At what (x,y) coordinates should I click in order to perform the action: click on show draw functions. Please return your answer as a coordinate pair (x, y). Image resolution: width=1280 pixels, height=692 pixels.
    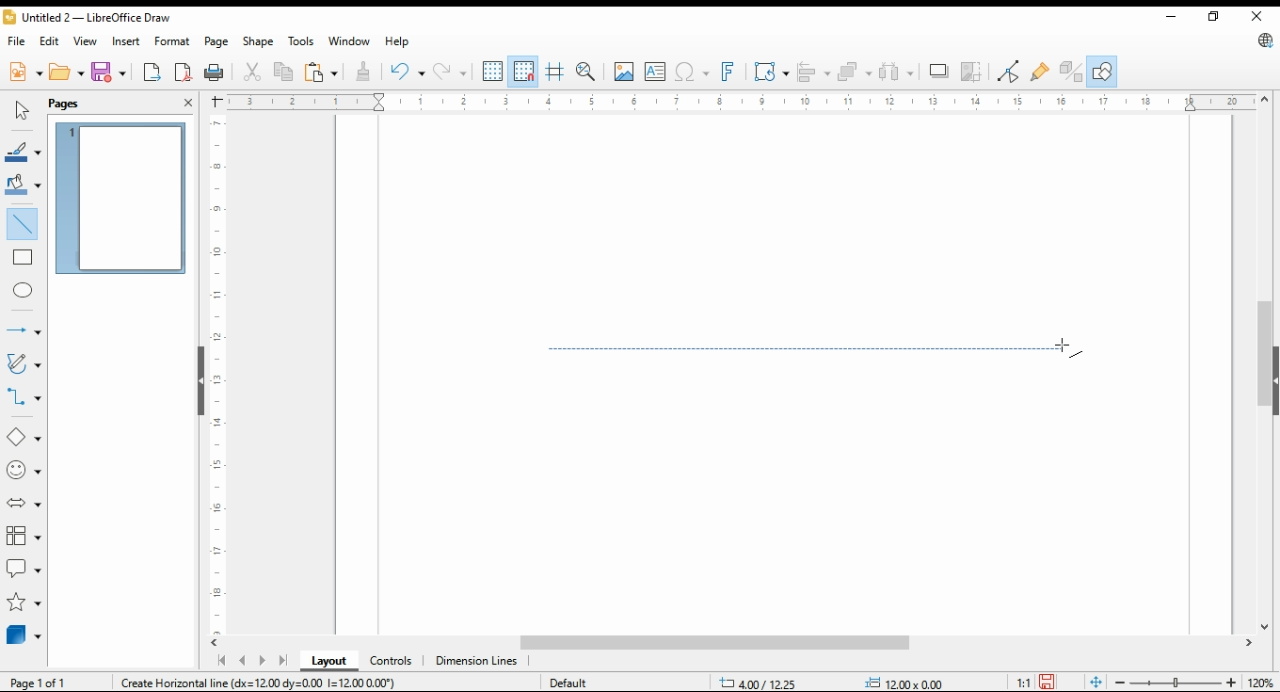
    Looking at the image, I should click on (1100, 72).